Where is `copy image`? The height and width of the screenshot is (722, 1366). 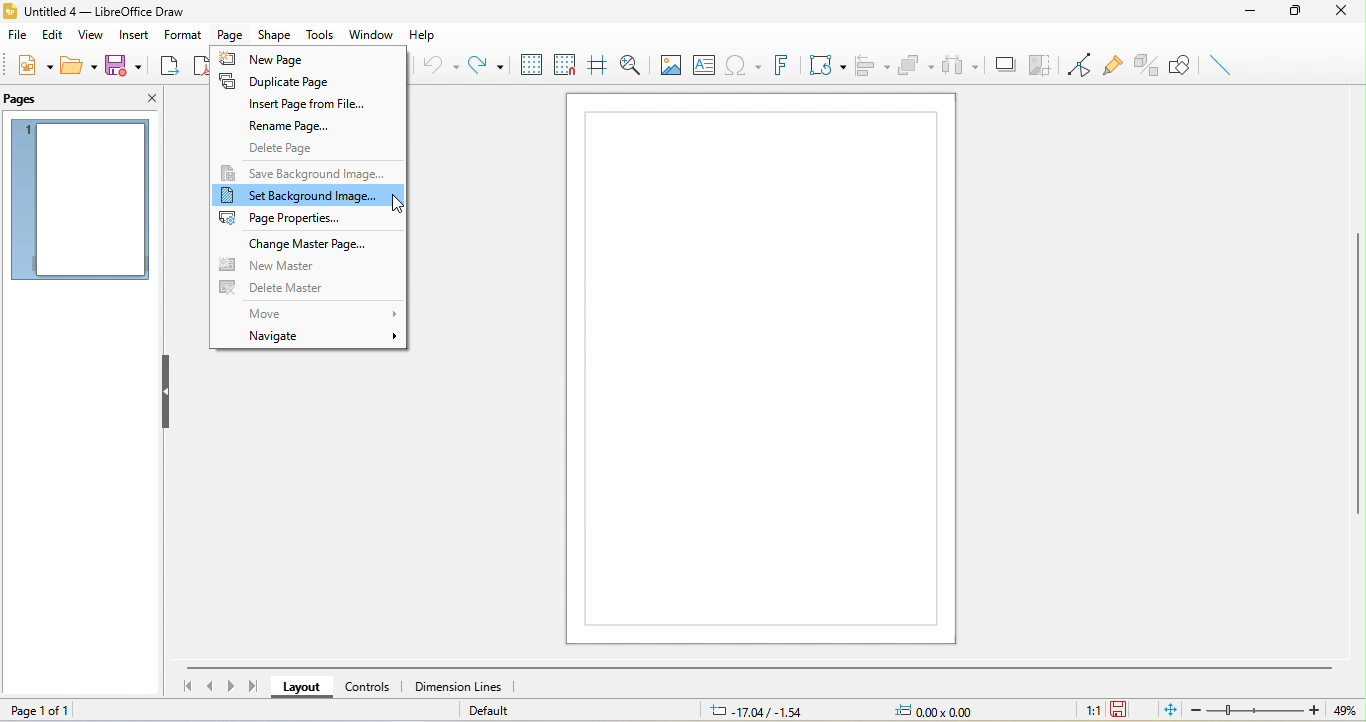
copy image is located at coordinates (1041, 65).